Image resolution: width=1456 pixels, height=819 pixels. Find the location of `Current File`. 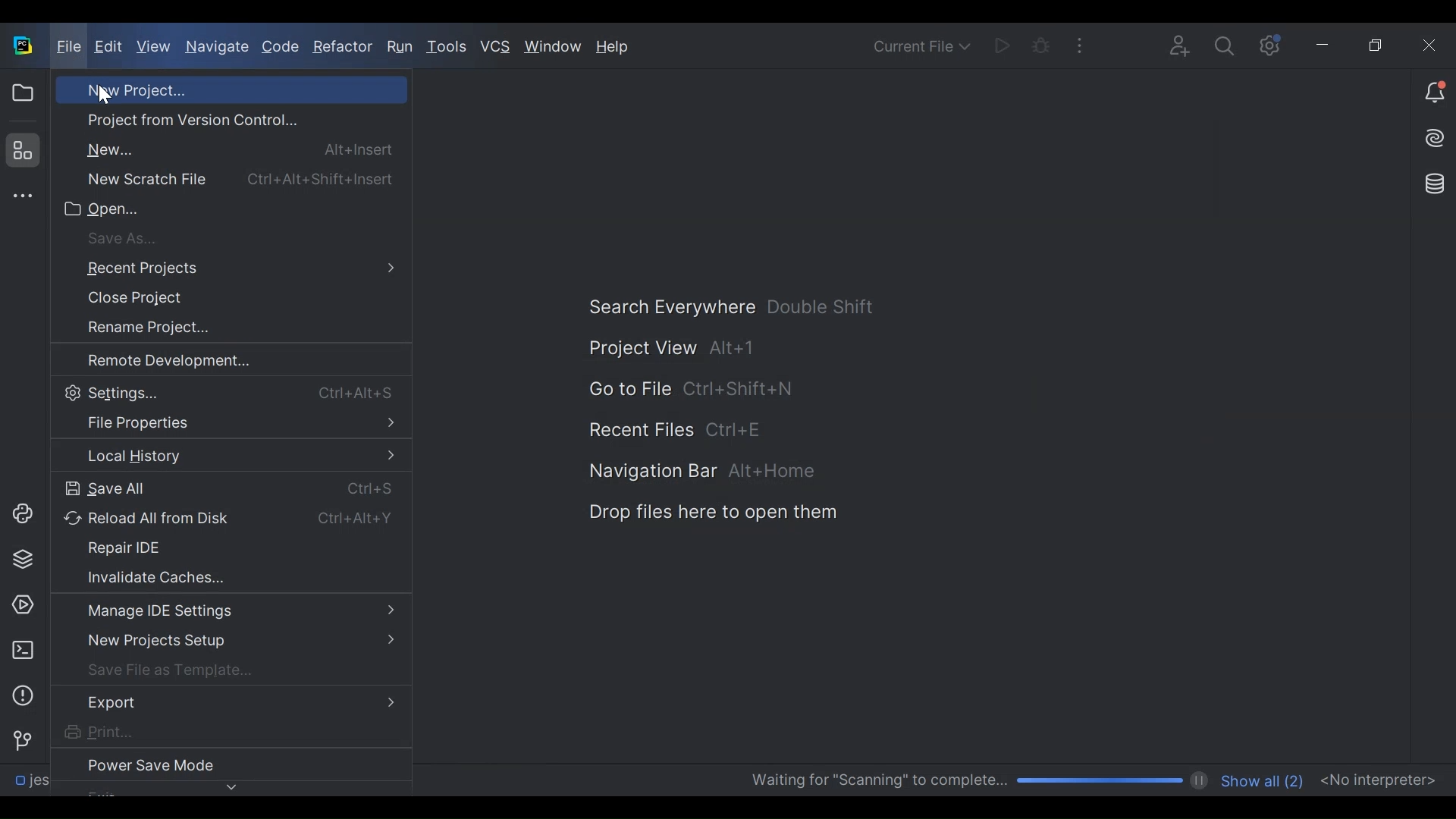

Current File is located at coordinates (921, 45).